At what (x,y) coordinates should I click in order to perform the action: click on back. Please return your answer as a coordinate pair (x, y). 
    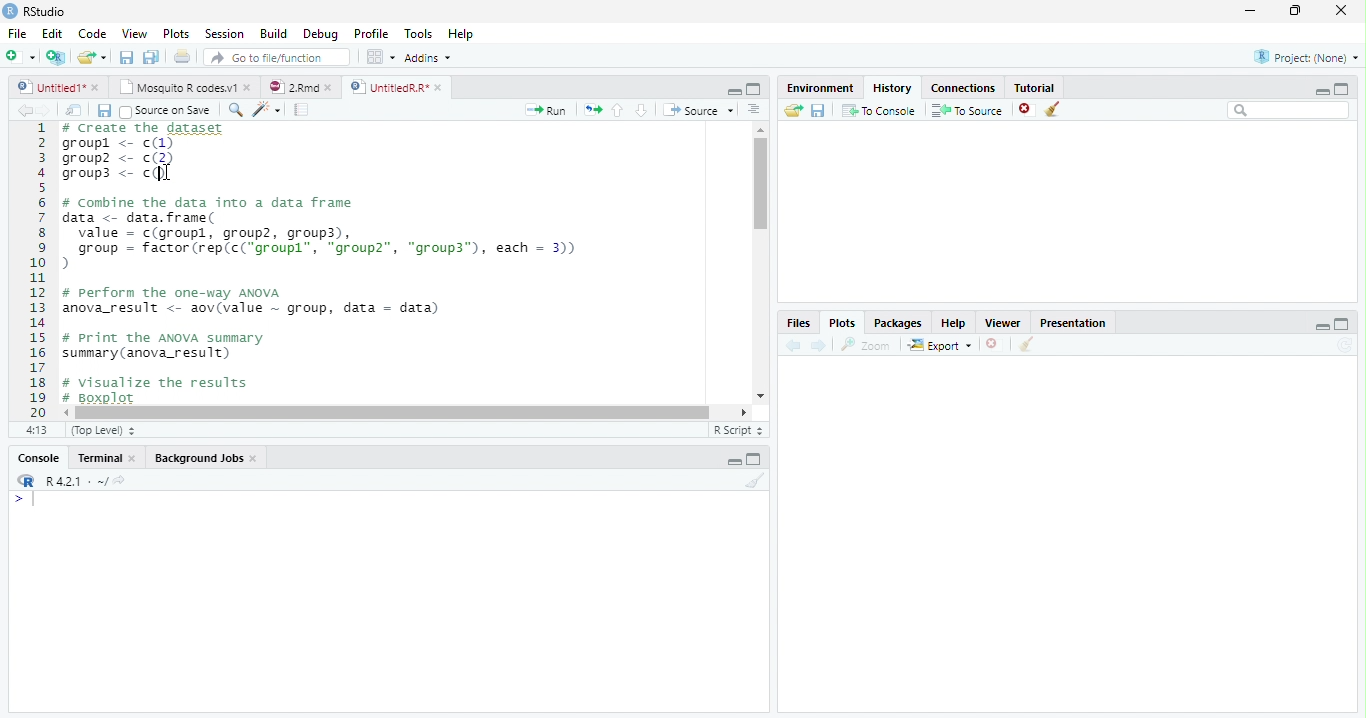
    Looking at the image, I should click on (797, 343).